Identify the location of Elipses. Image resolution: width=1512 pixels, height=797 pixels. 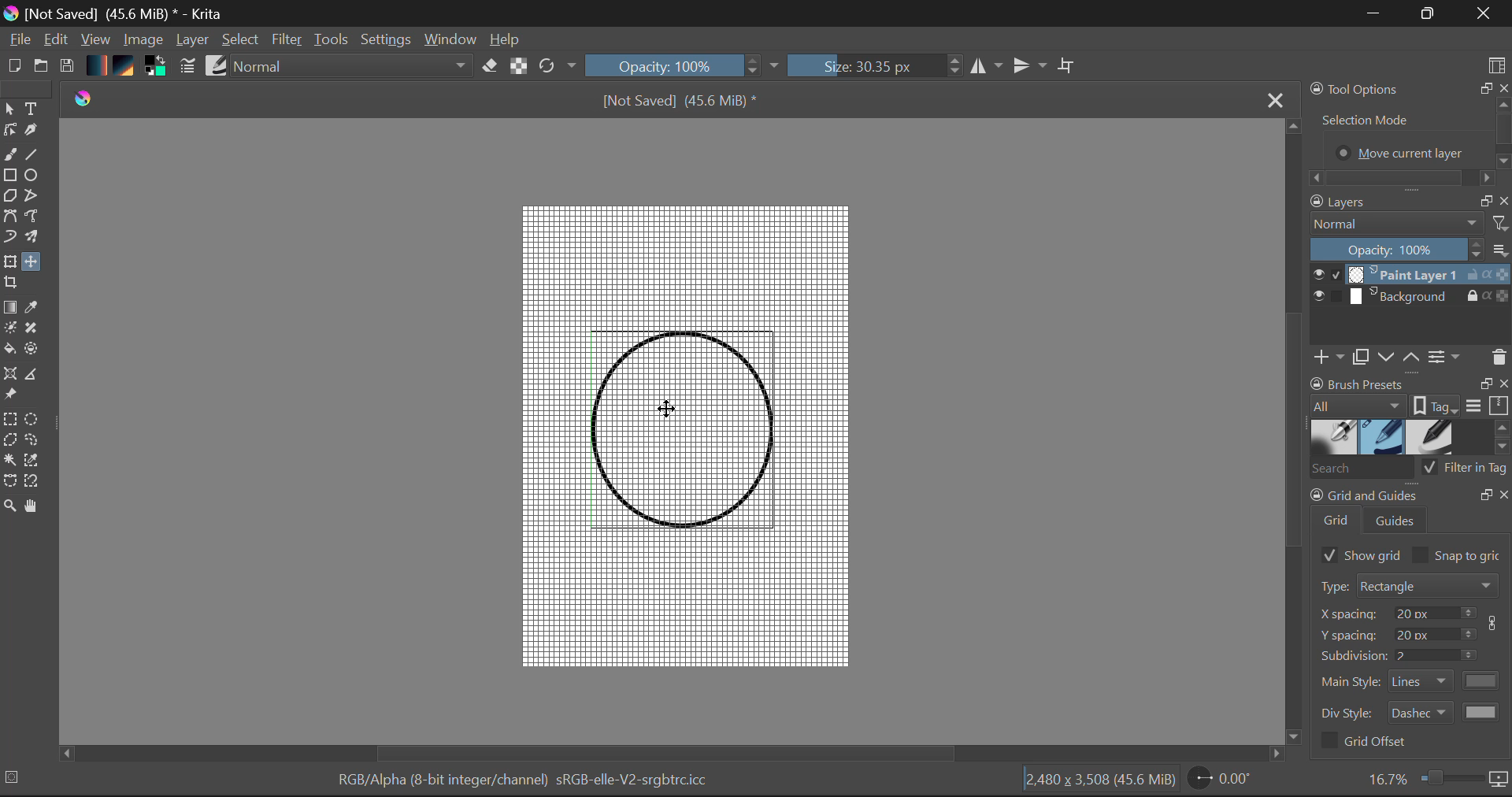
(35, 175).